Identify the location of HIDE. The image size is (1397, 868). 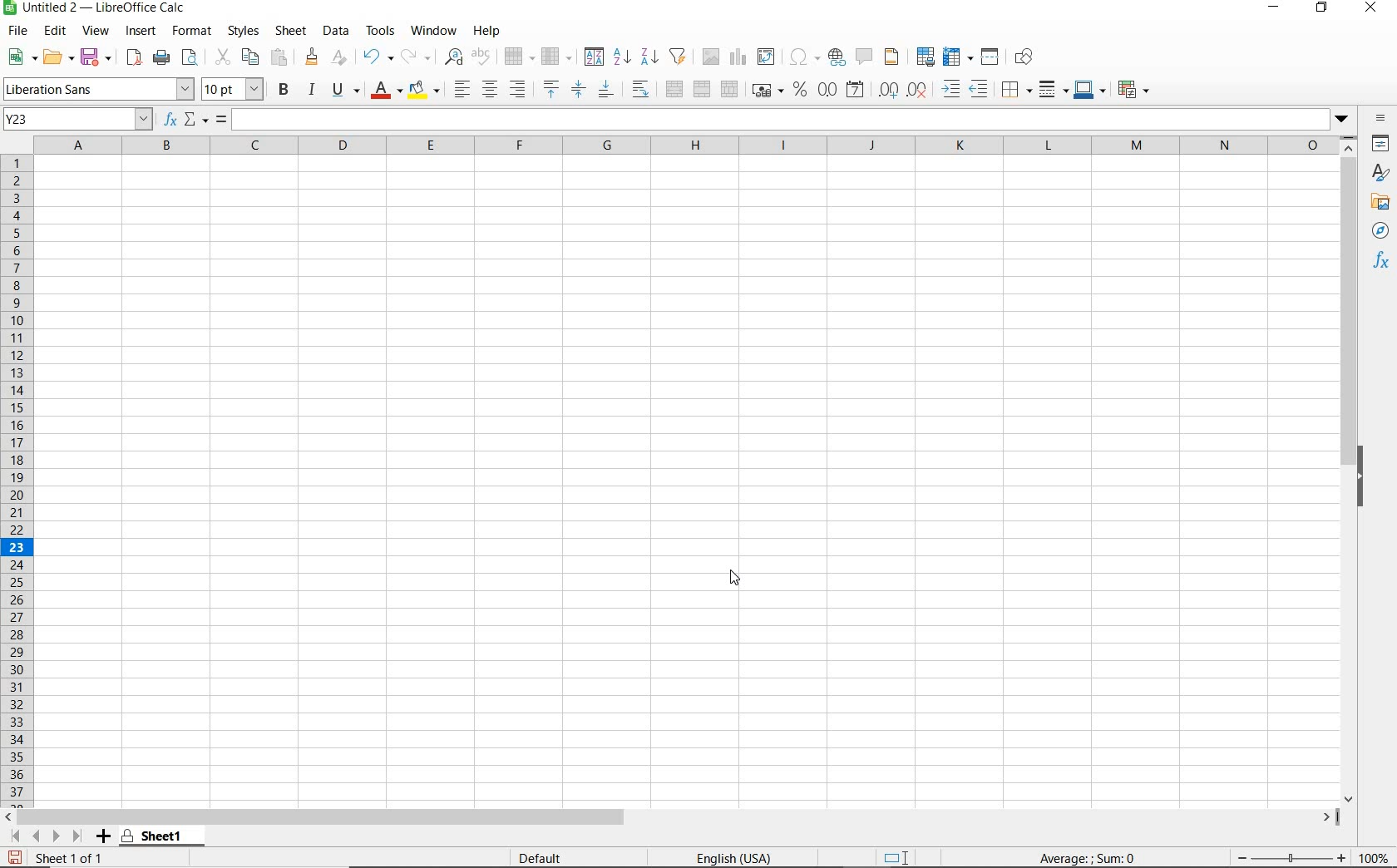
(1370, 474).